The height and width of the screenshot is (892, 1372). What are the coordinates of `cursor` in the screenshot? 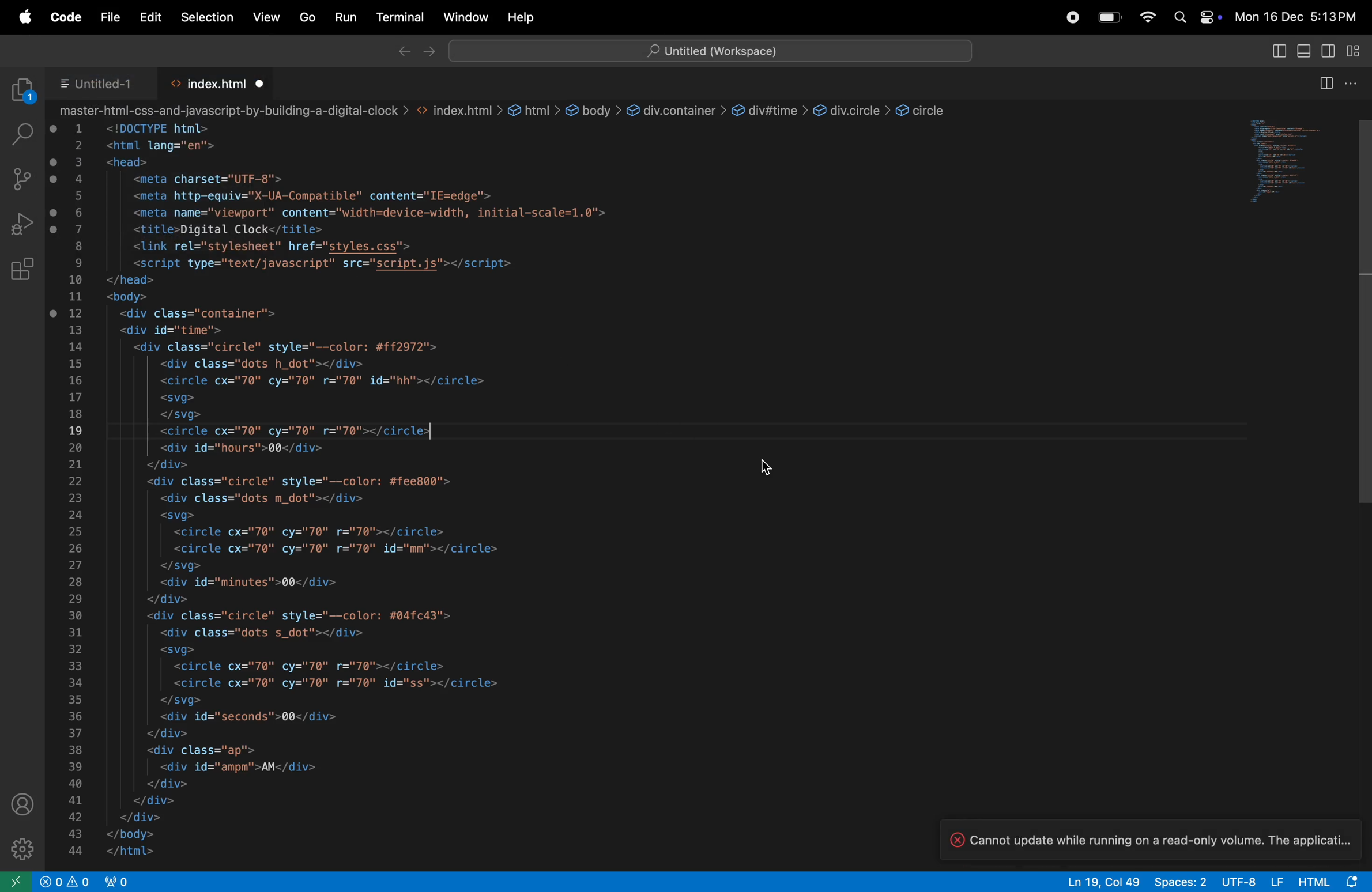 It's located at (768, 466).